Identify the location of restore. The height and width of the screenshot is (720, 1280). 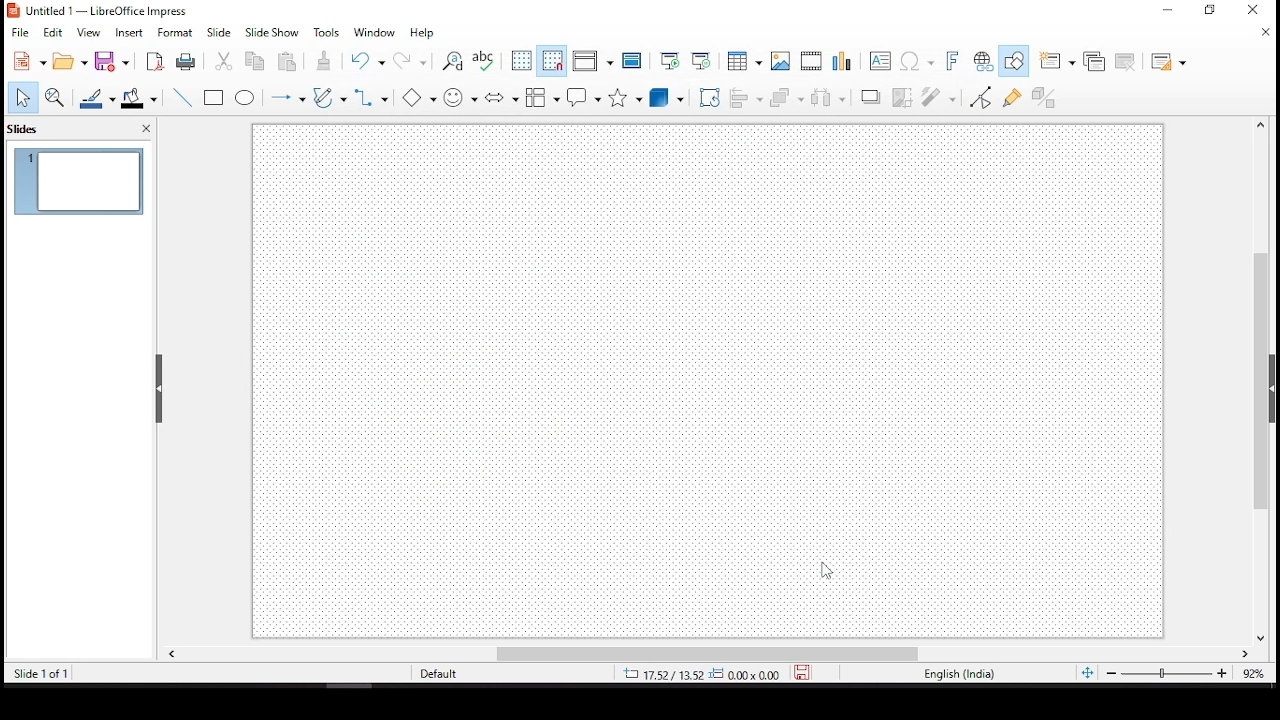
(1210, 11).